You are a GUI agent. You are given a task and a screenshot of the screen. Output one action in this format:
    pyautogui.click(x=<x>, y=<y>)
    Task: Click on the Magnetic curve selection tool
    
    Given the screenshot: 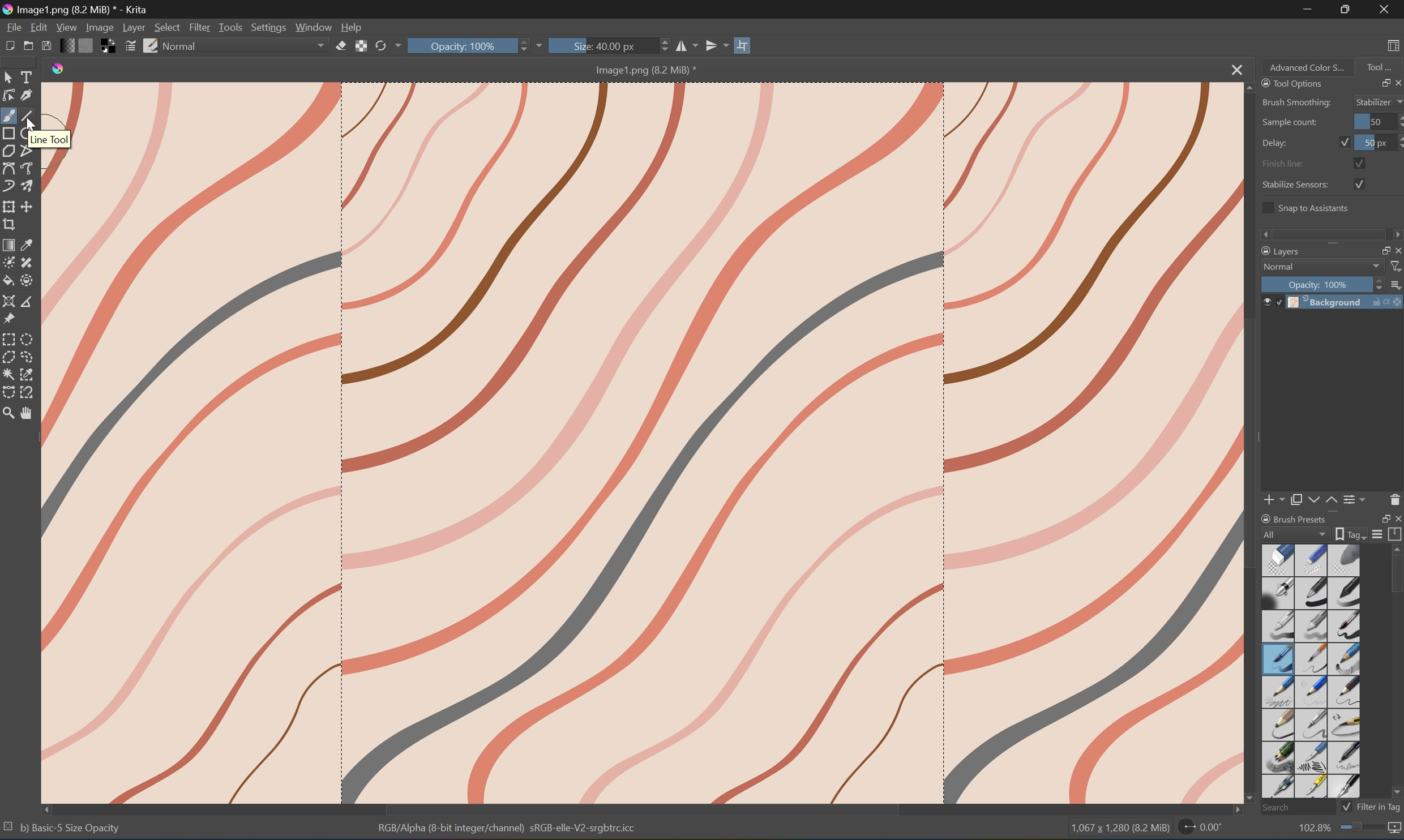 What is the action you would take?
    pyautogui.click(x=29, y=392)
    